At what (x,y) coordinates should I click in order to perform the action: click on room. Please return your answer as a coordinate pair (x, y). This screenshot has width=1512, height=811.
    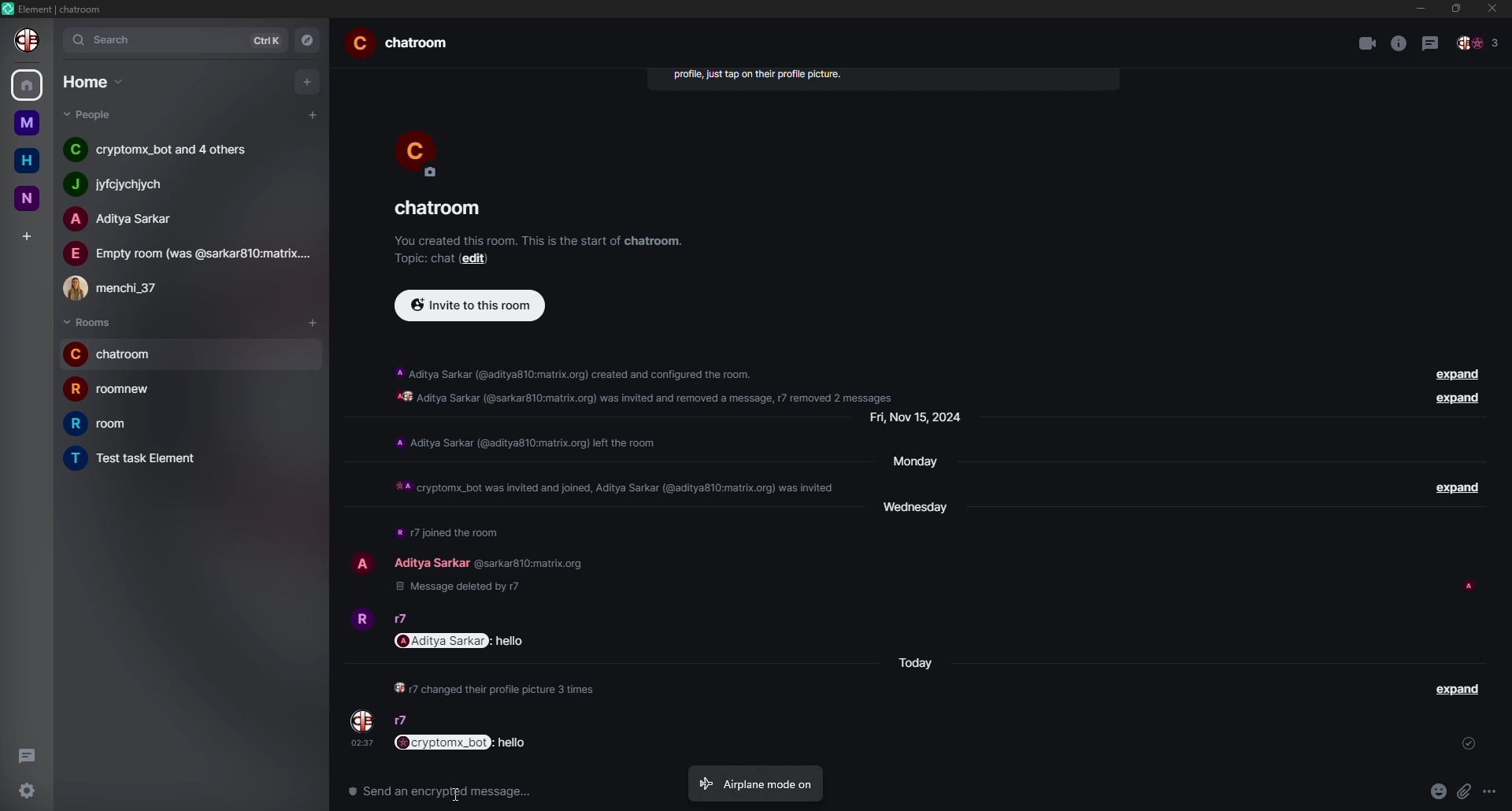
    Looking at the image, I should click on (403, 43).